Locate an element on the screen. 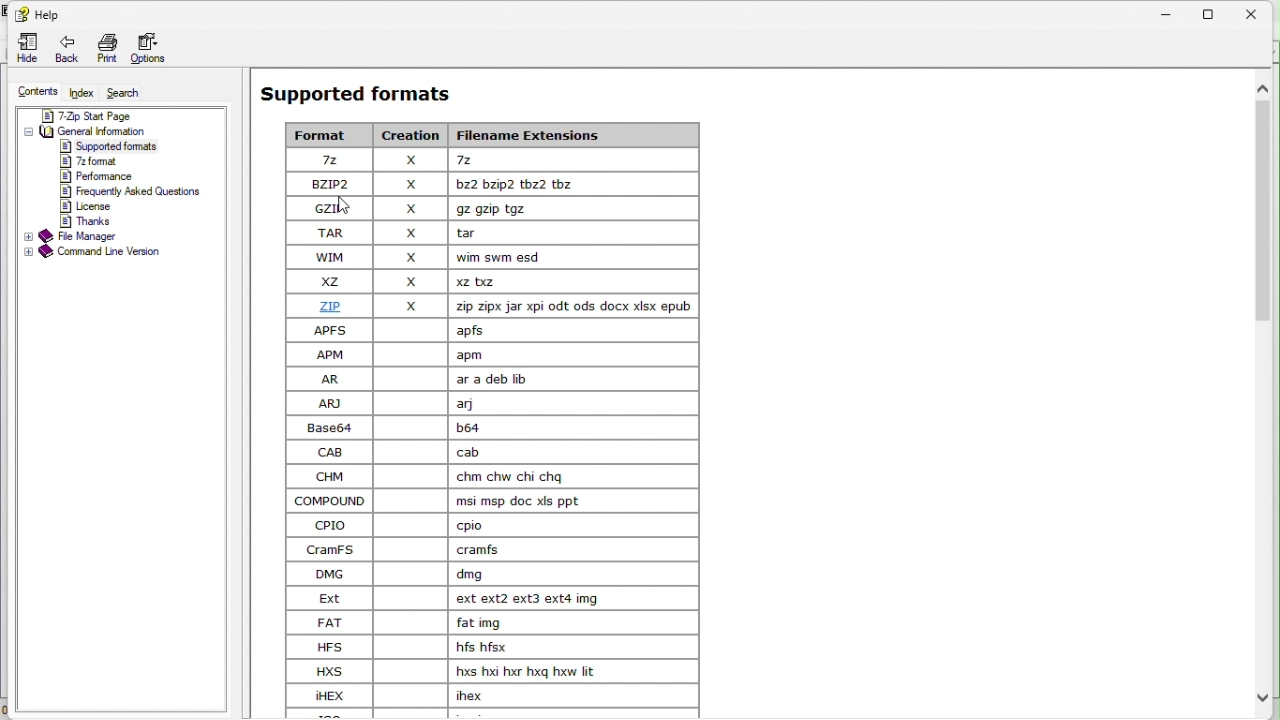 Image resolution: width=1280 pixels, height=720 pixels. help is located at coordinates (41, 13).